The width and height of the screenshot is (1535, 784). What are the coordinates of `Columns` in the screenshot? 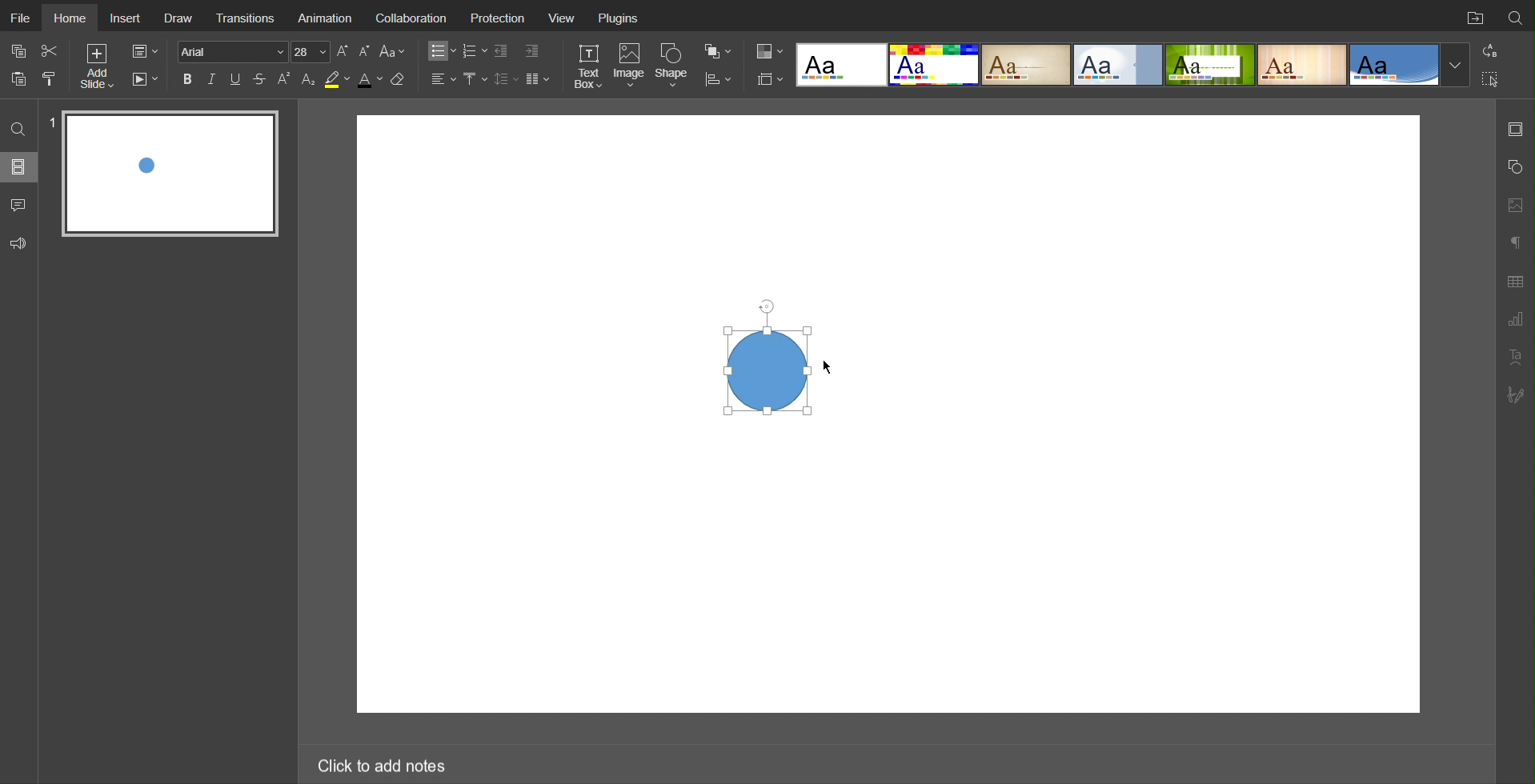 It's located at (539, 78).